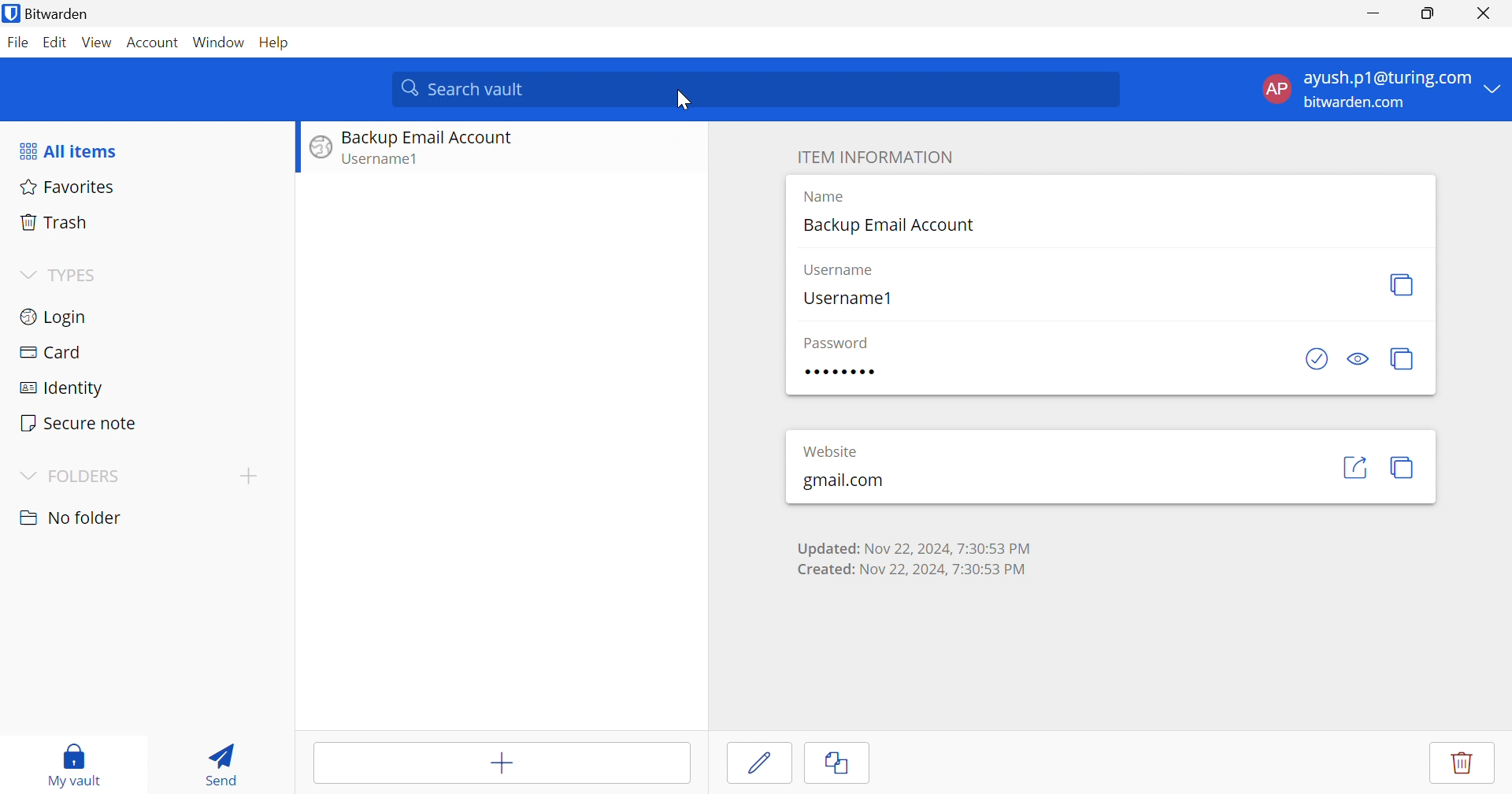 The height and width of the screenshot is (794, 1512). Describe the element at coordinates (1427, 12) in the screenshot. I see `Restore Down` at that location.